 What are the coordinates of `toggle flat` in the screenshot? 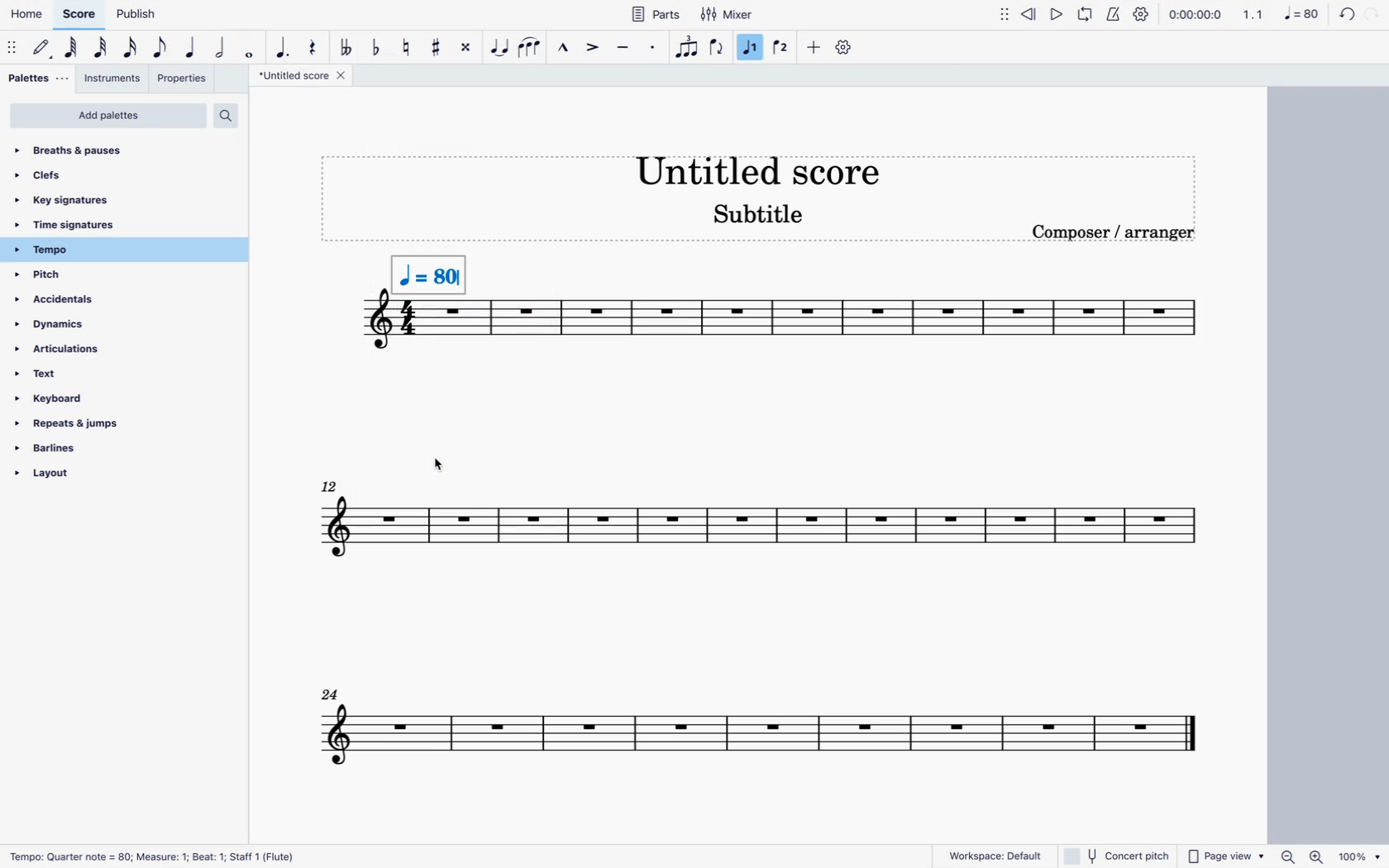 It's located at (376, 47).